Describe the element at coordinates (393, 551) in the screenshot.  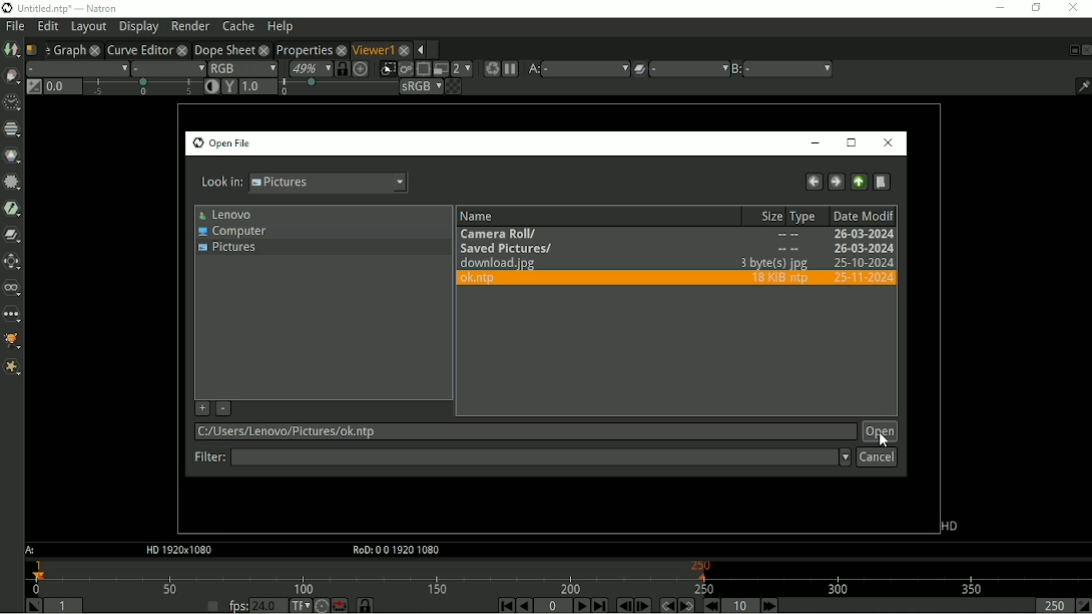
I see `RoD` at that location.